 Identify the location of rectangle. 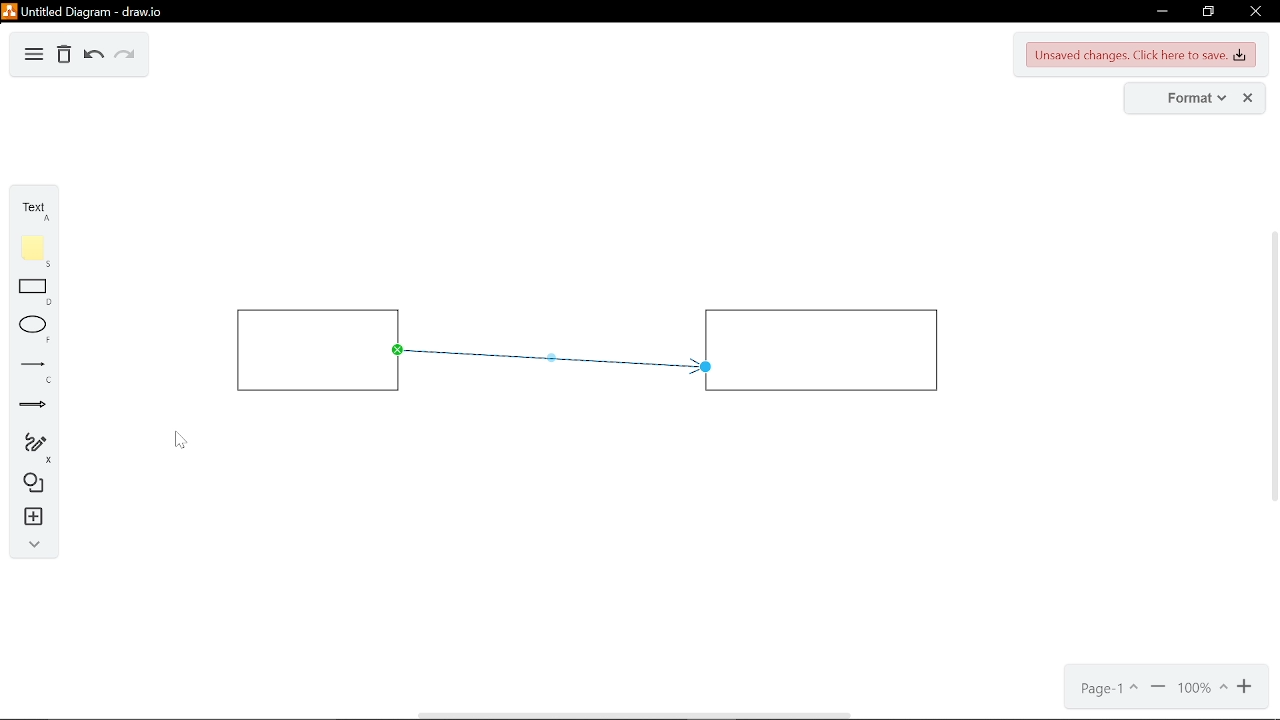
(31, 295).